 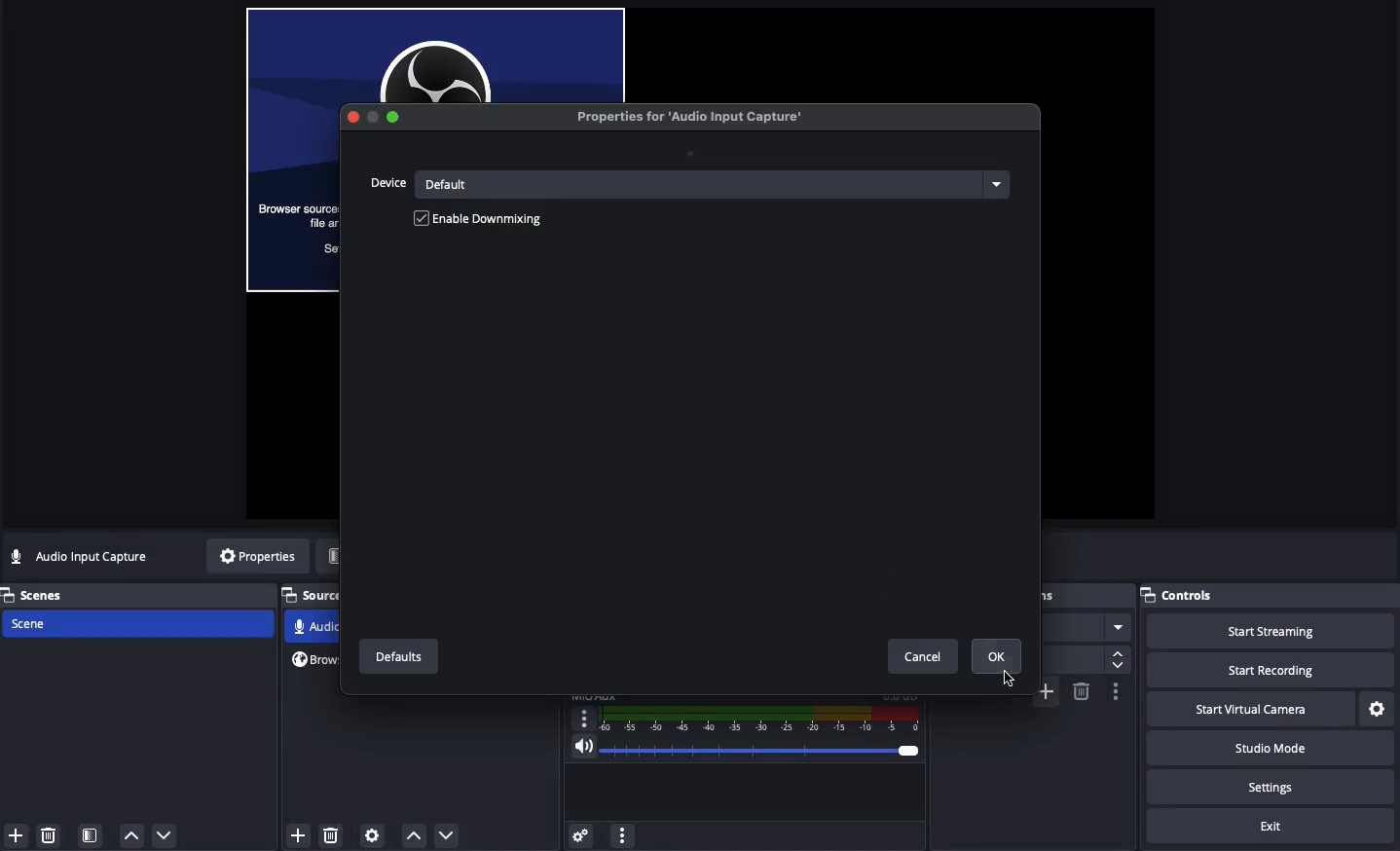 I want to click on Delete, so click(x=51, y=834).